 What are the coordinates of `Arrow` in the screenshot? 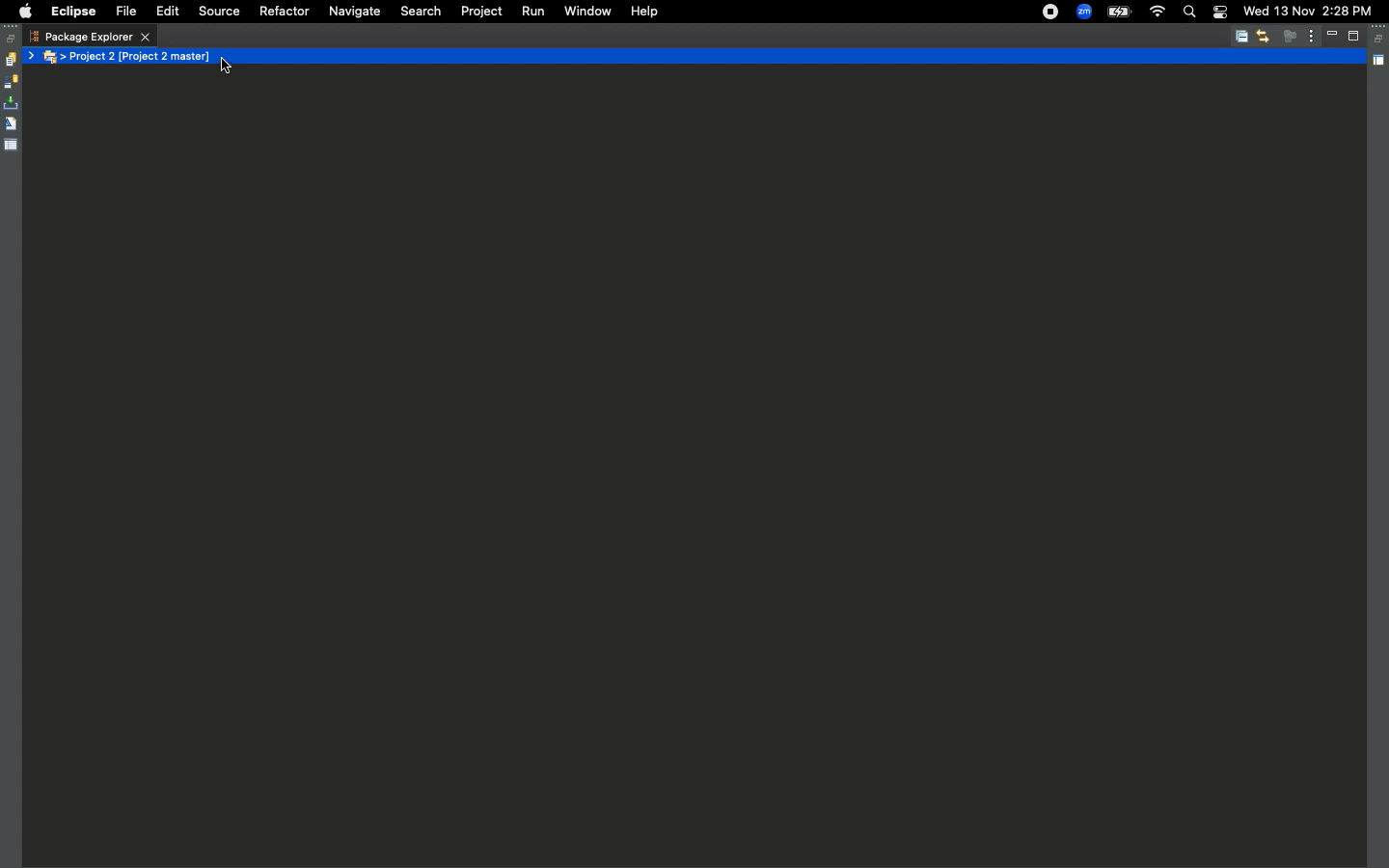 It's located at (33, 56).